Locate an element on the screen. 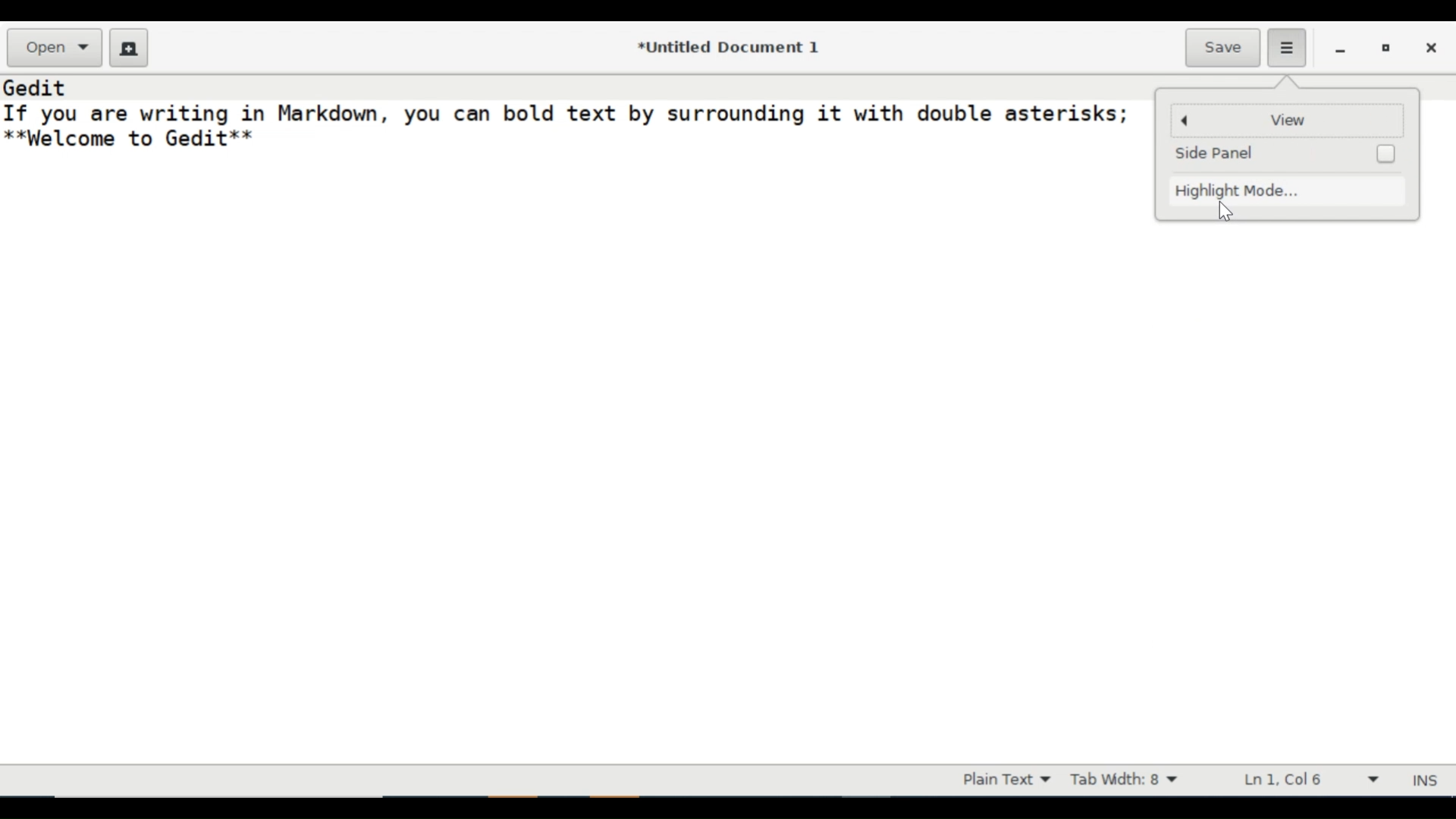 This screenshot has height=819, width=1456. Application menu is located at coordinates (1285, 47).